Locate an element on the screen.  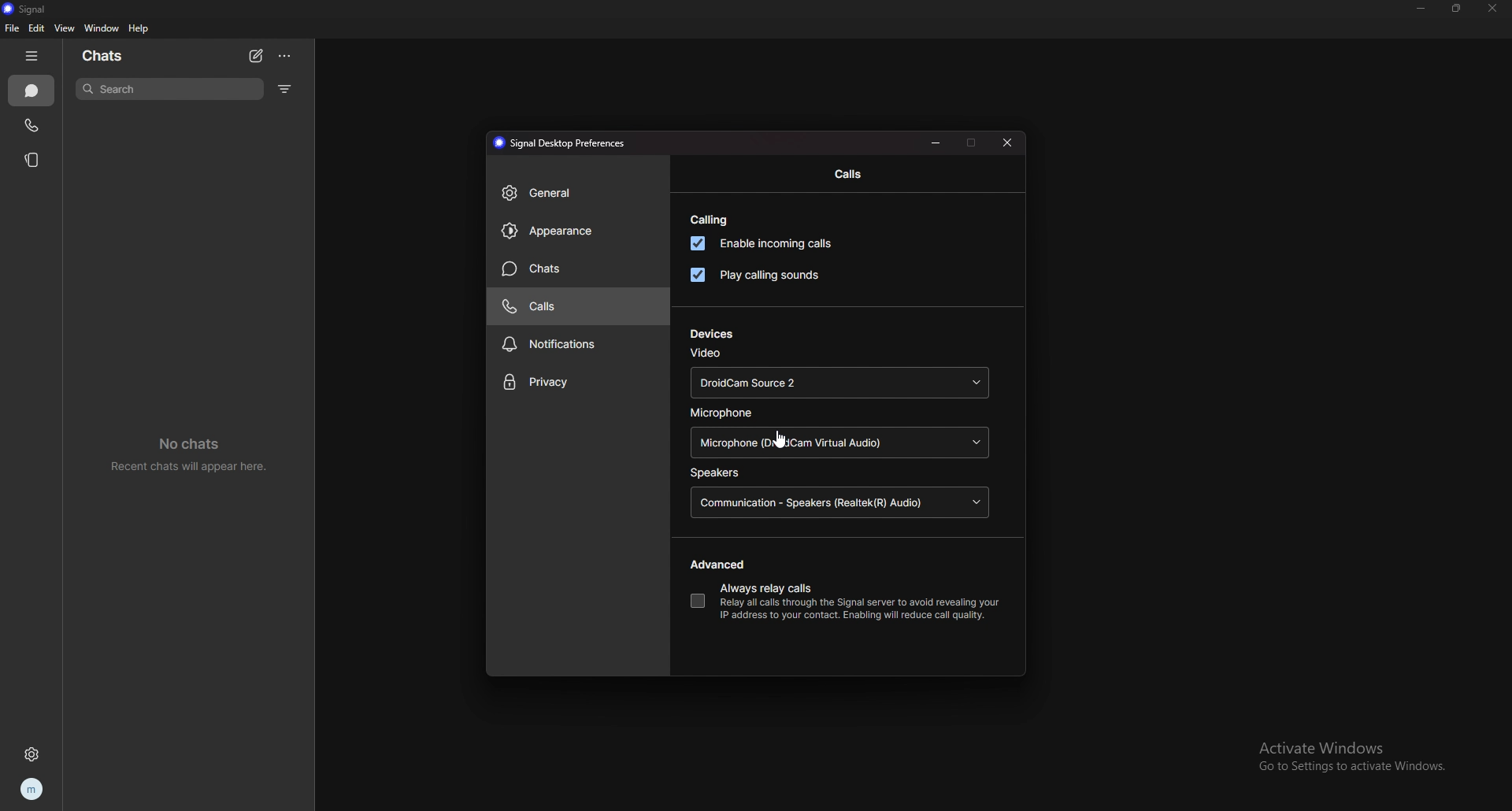
general is located at coordinates (579, 194).